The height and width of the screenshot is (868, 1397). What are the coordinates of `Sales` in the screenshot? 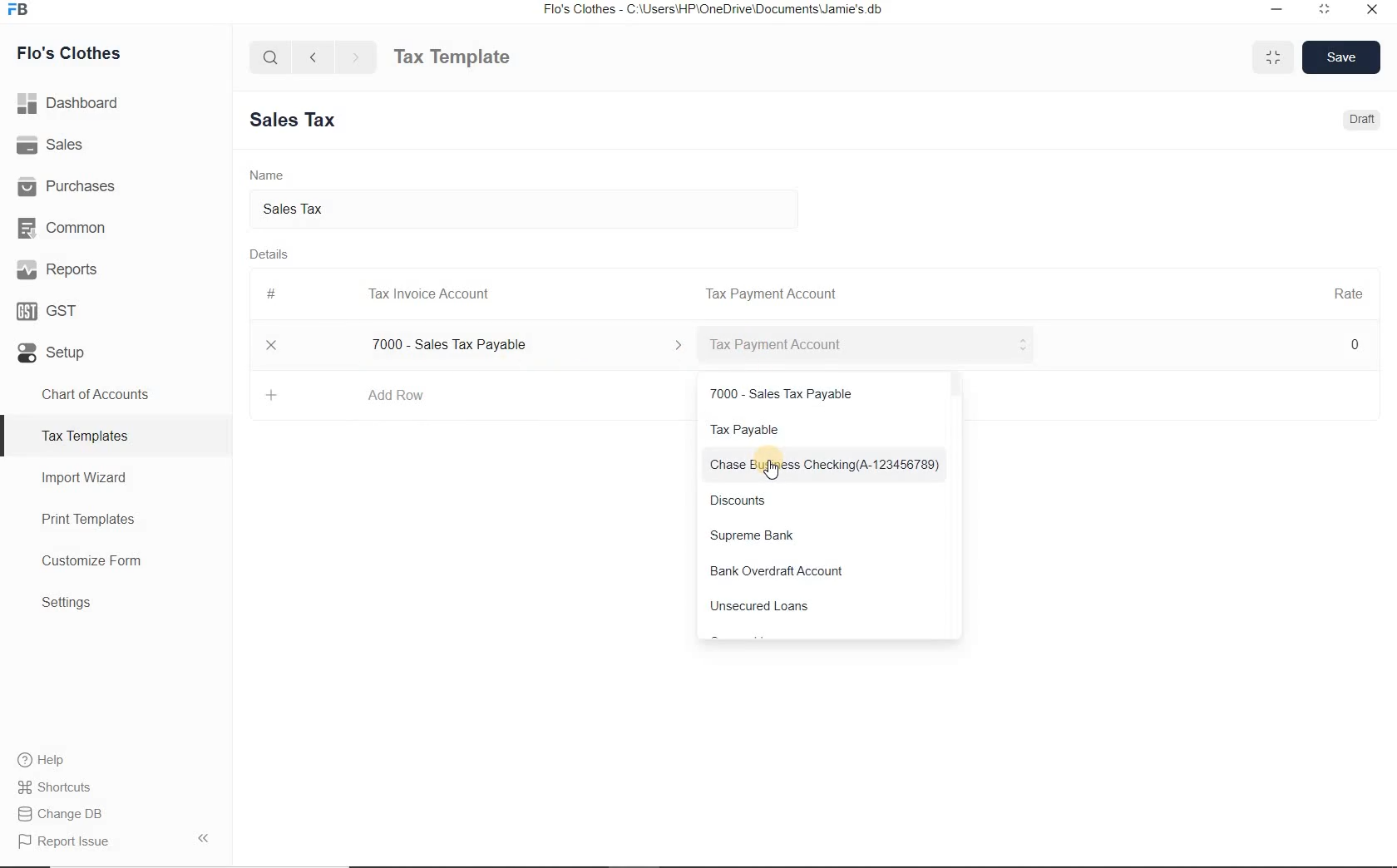 It's located at (116, 144).